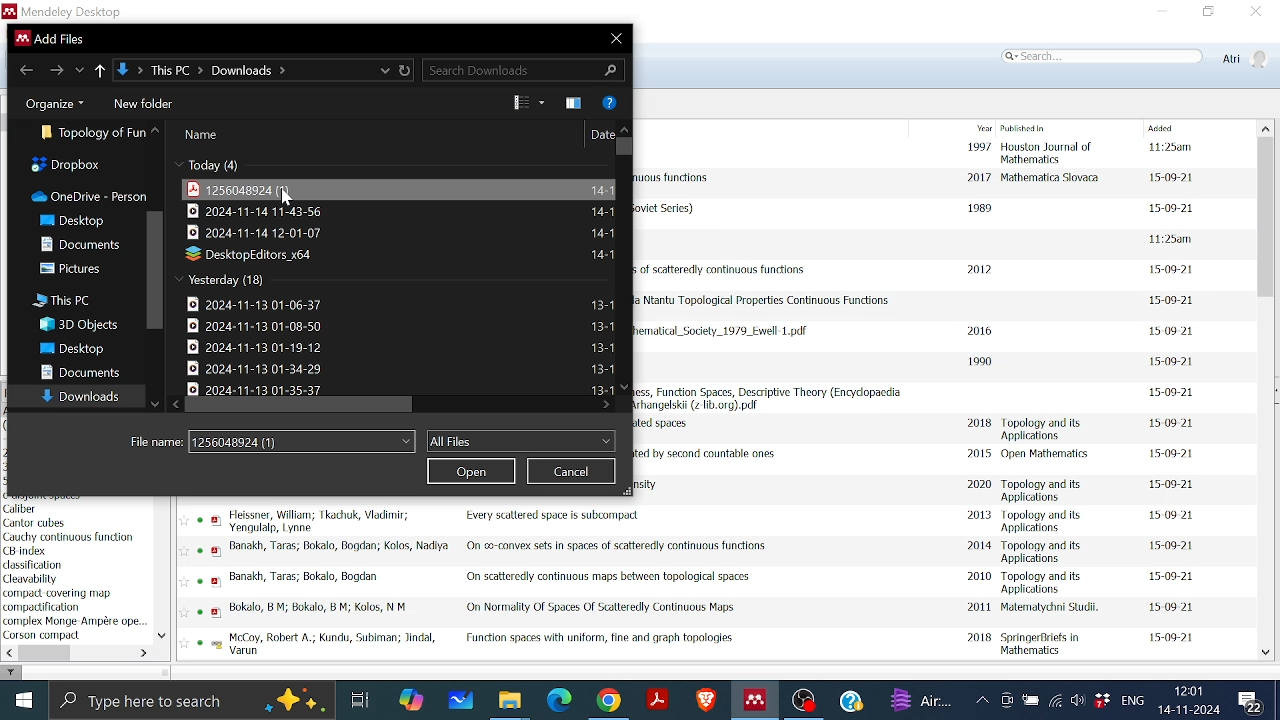 The width and height of the screenshot is (1280, 720). What do you see at coordinates (184, 610) in the screenshot?
I see `Favourite` at bounding box center [184, 610].